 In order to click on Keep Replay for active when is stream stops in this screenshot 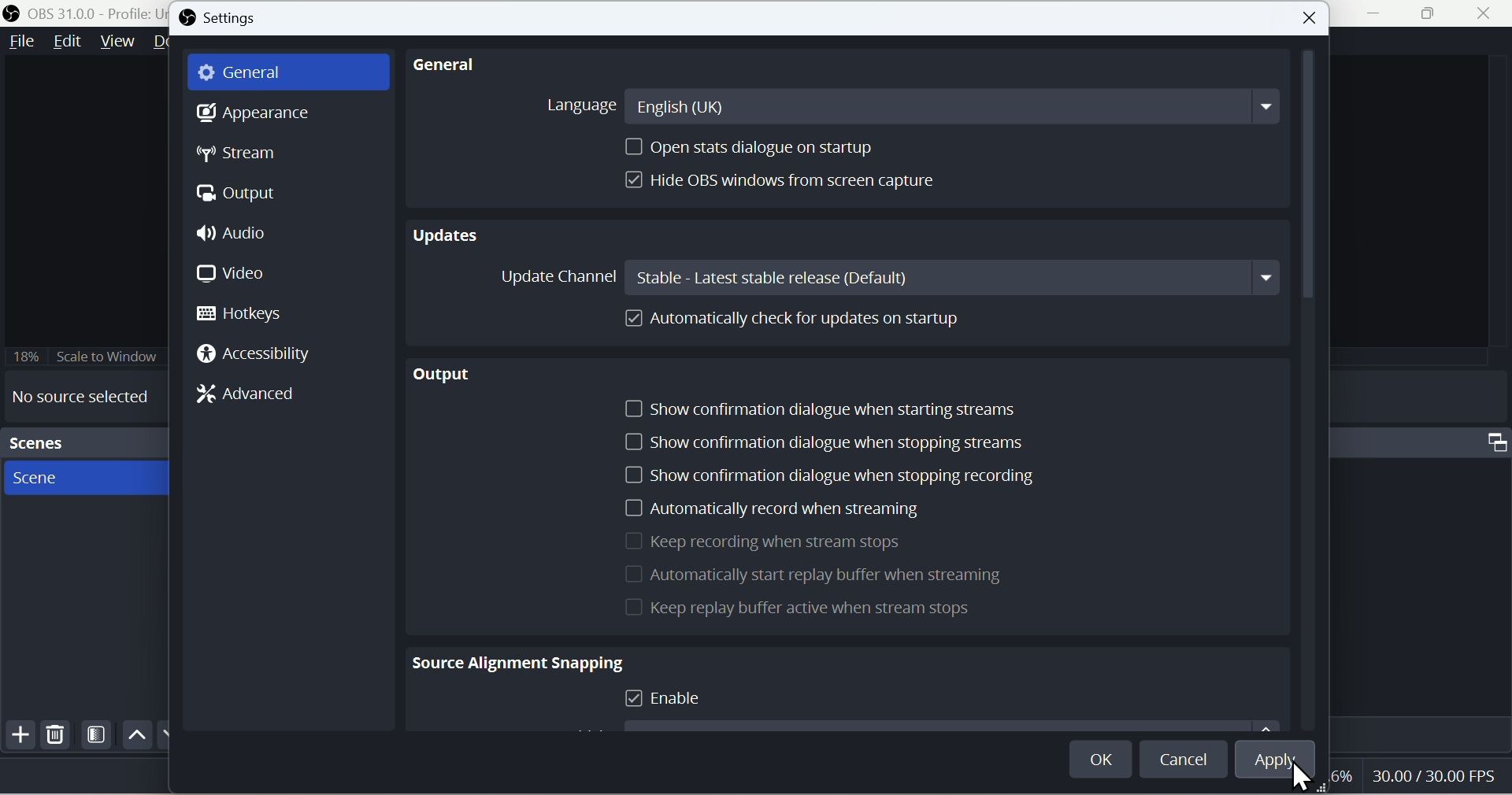, I will do `click(799, 611)`.